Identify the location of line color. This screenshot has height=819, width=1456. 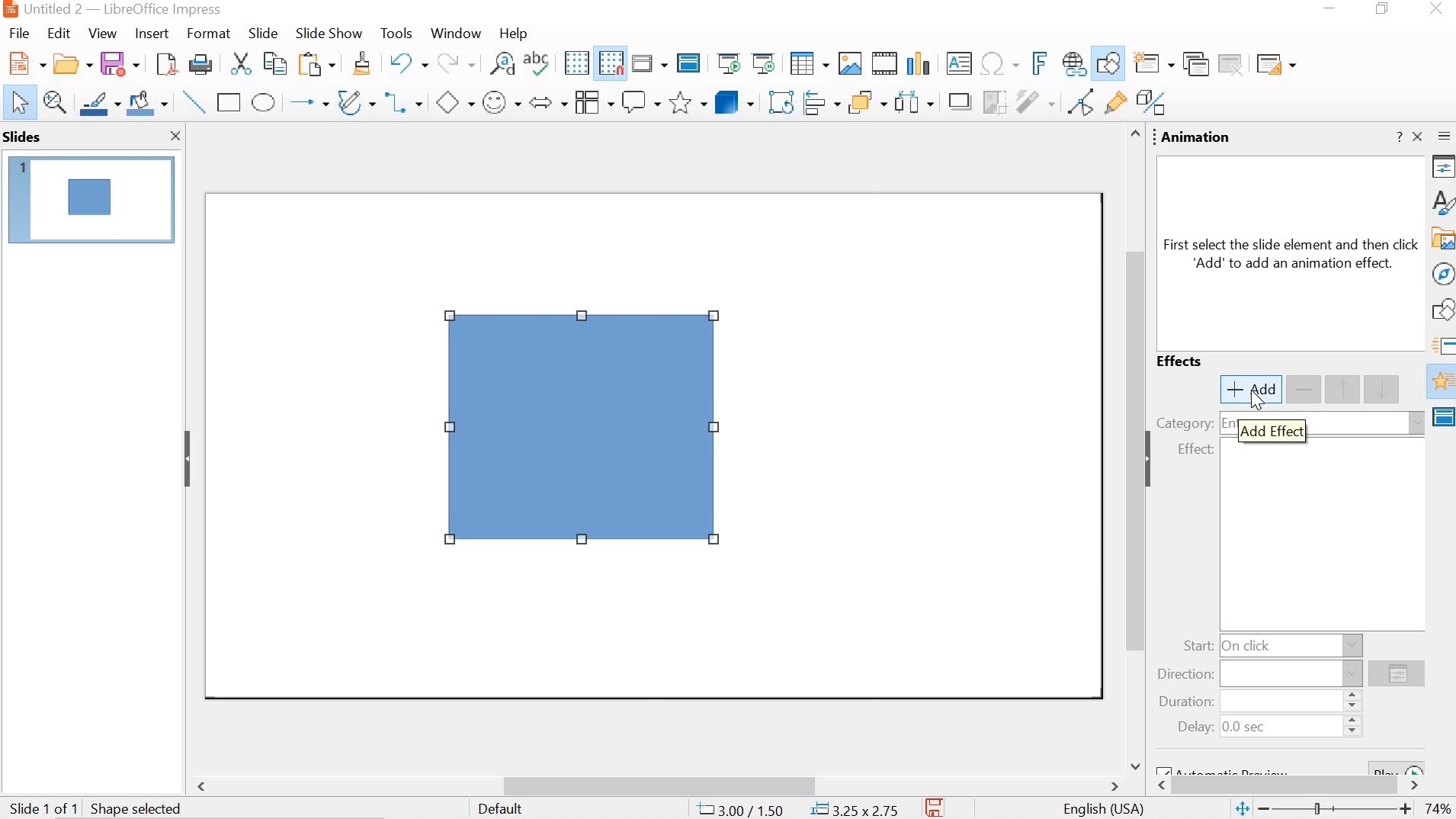
(98, 101).